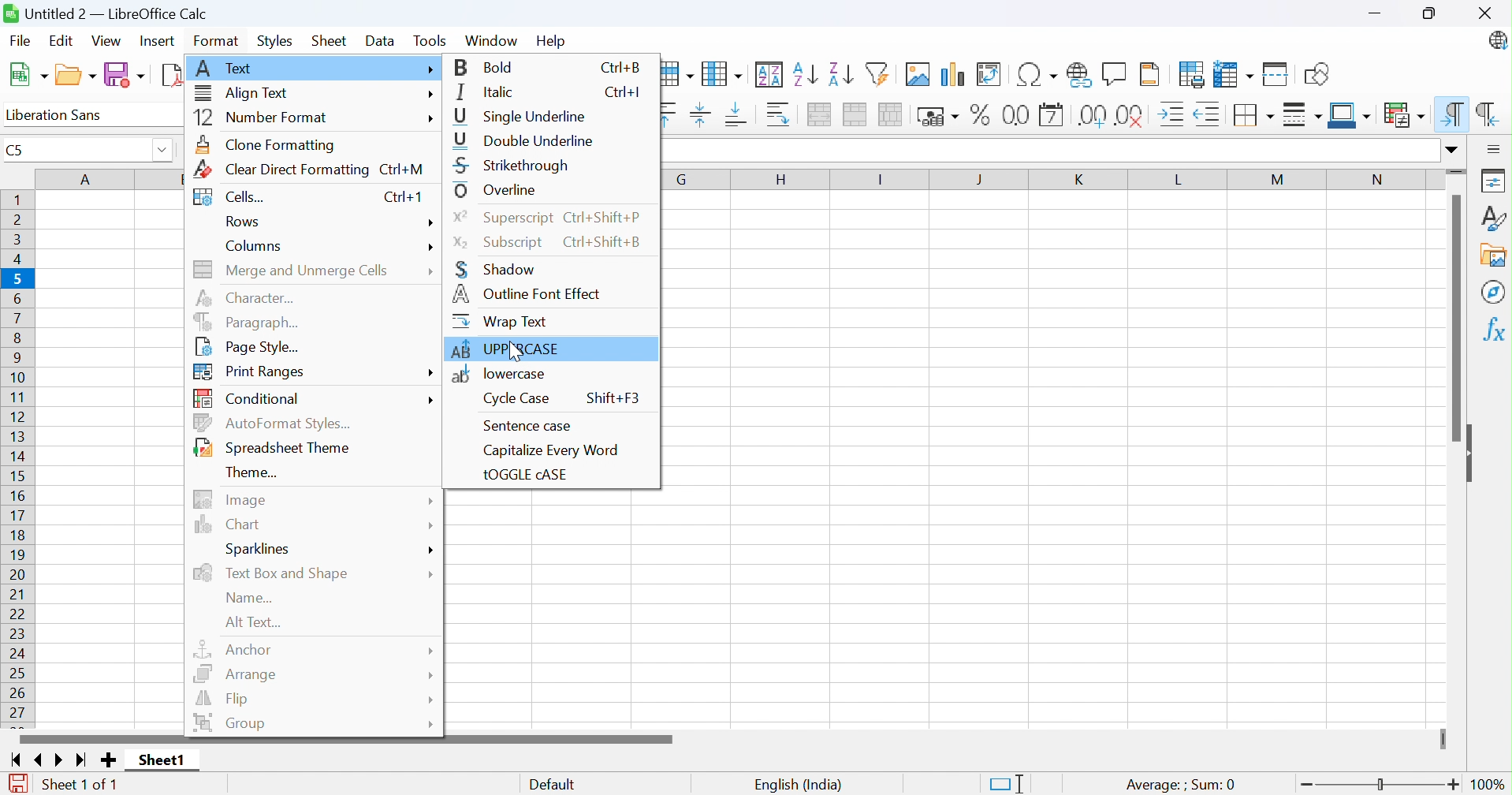 This screenshot has width=1512, height=795. What do you see at coordinates (379, 41) in the screenshot?
I see `Data` at bounding box center [379, 41].